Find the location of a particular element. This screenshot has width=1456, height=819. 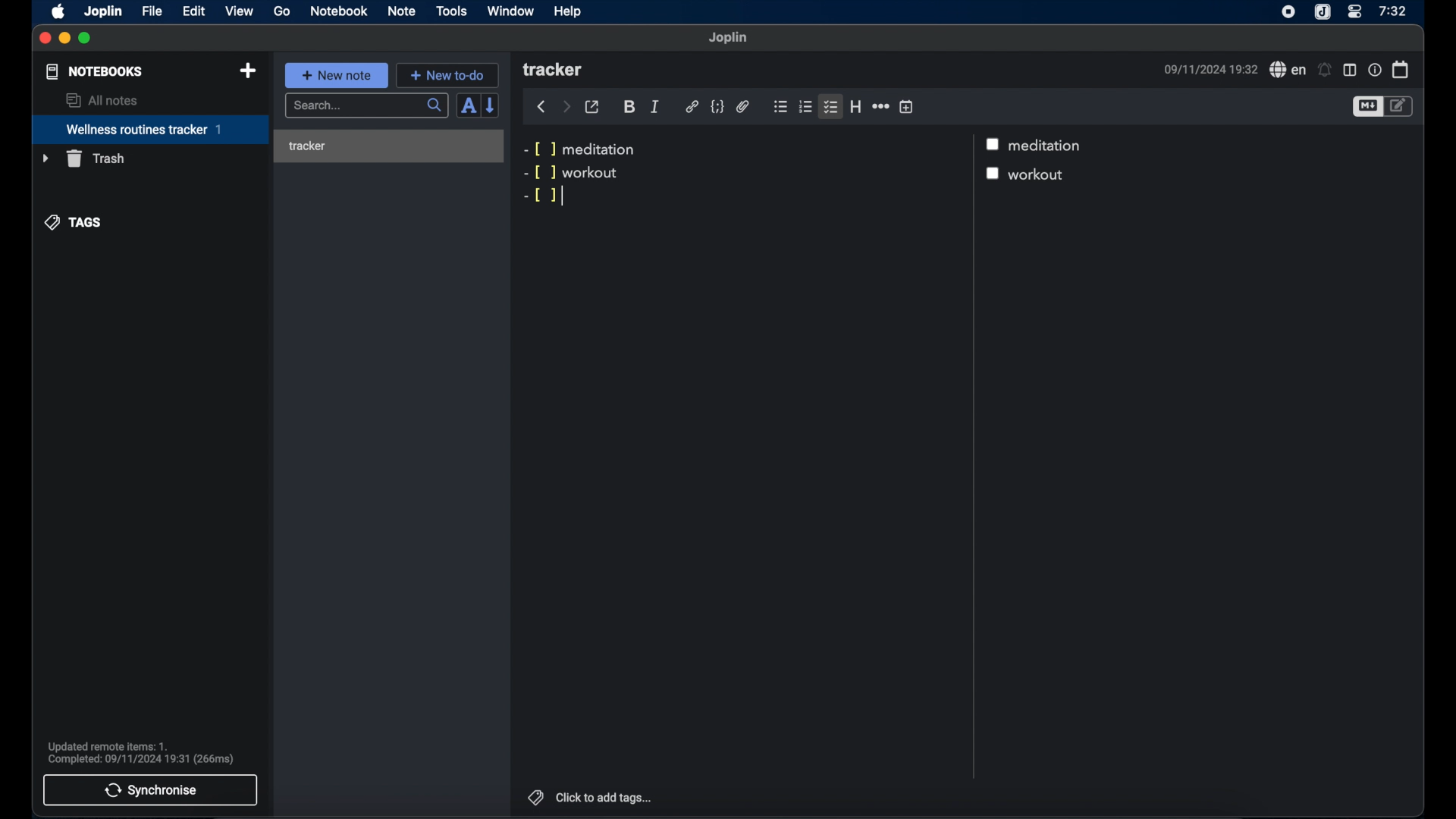

search... is located at coordinates (368, 106).